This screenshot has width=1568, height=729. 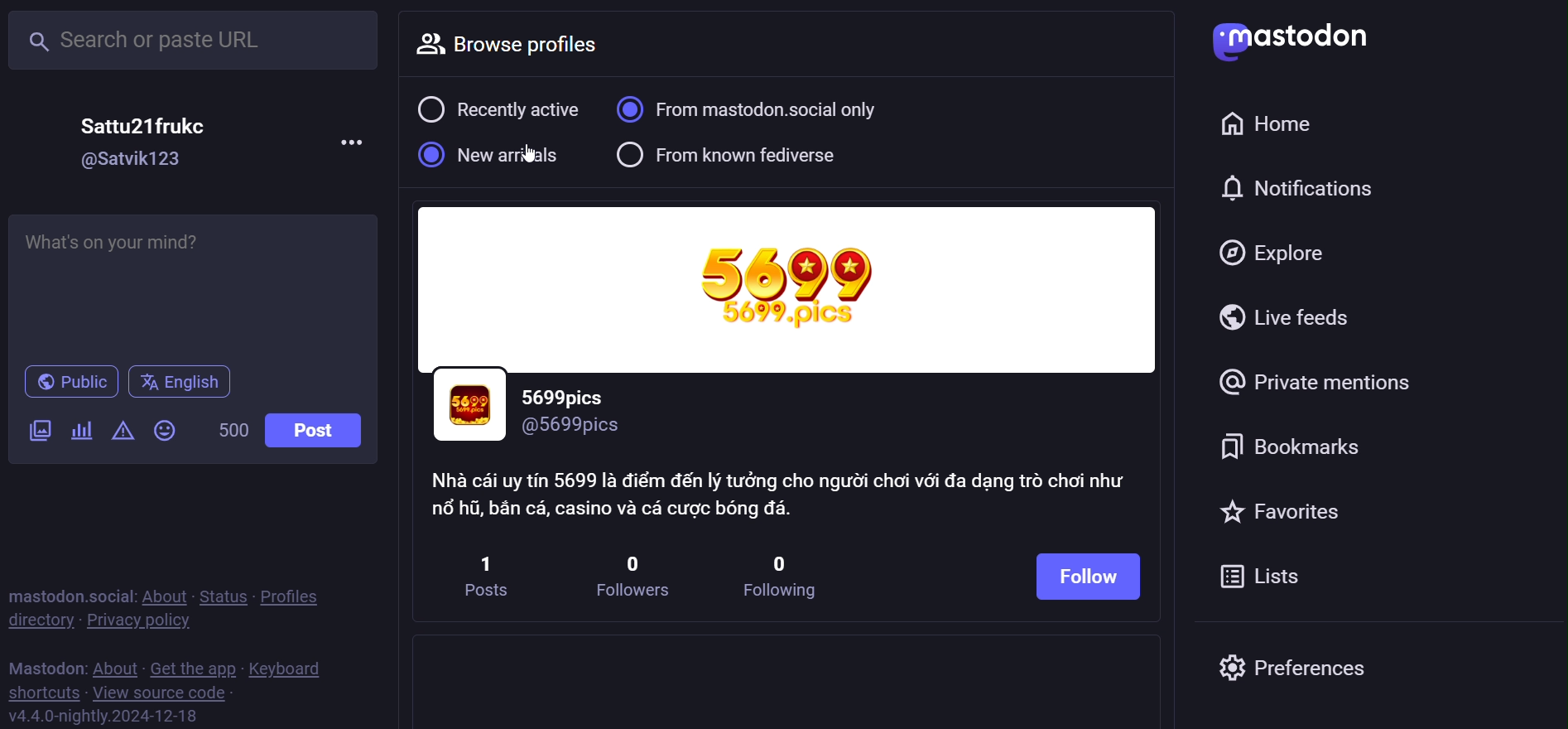 I want to click on Sattu21frukc, so click(x=160, y=125).